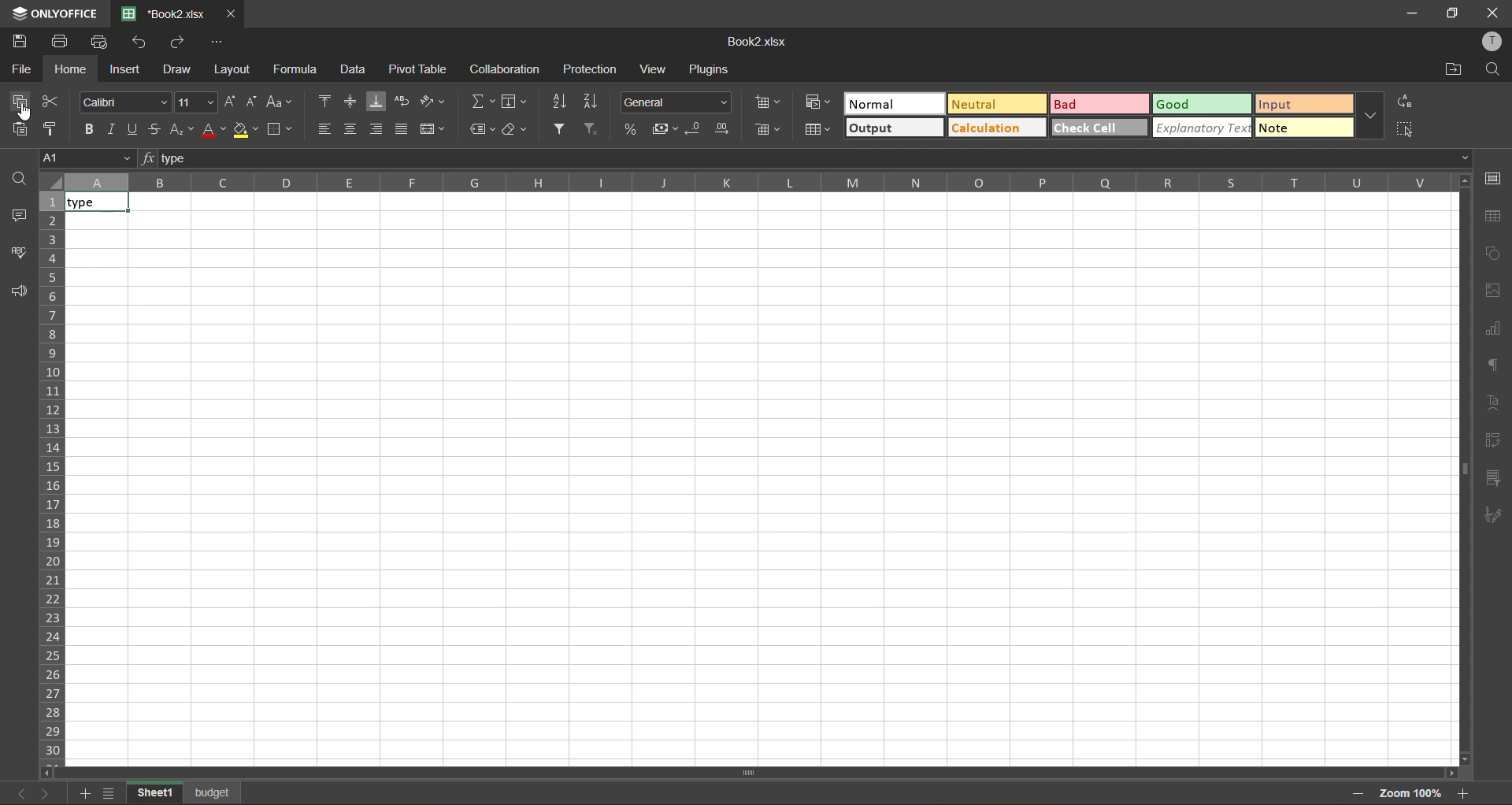  What do you see at coordinates (217, 44) in the screenshot?
I see `customize quick access toolbar` at bounding box center [217, 44].